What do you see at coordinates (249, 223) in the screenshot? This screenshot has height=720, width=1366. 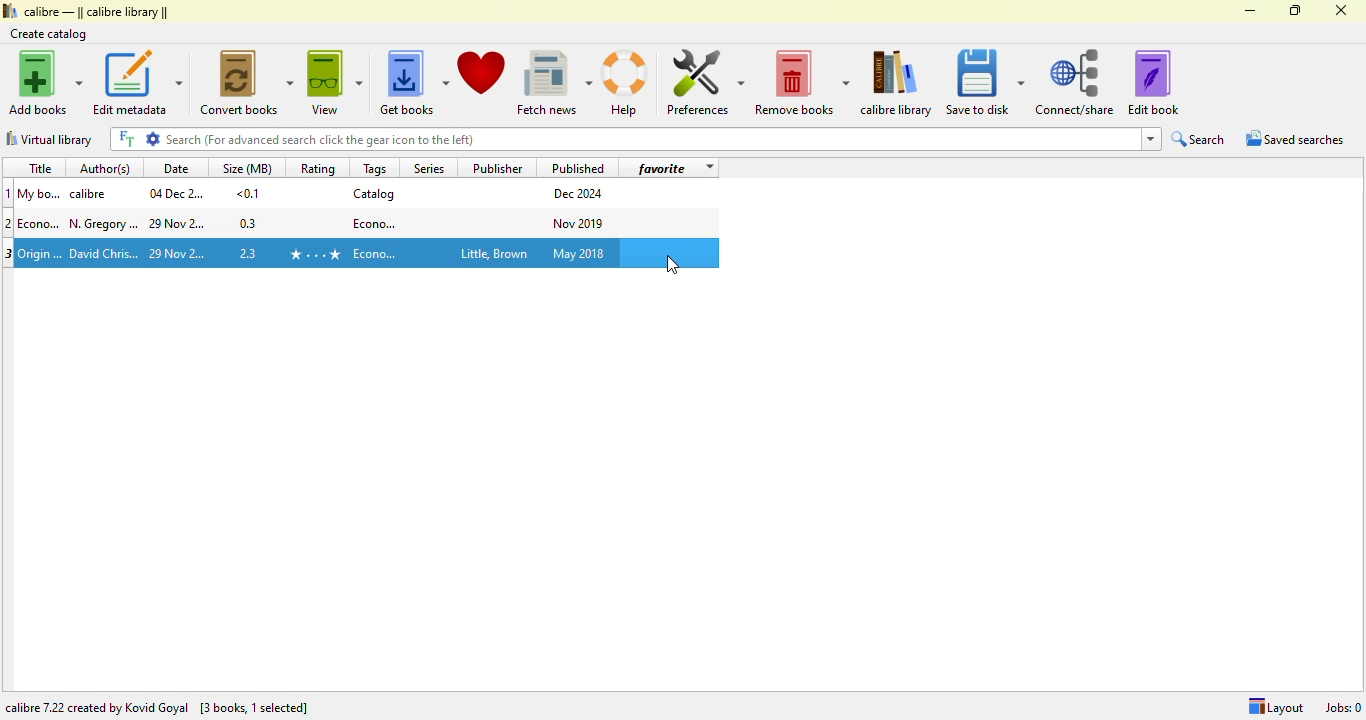 I see `size` at bounding box center [249, 223].